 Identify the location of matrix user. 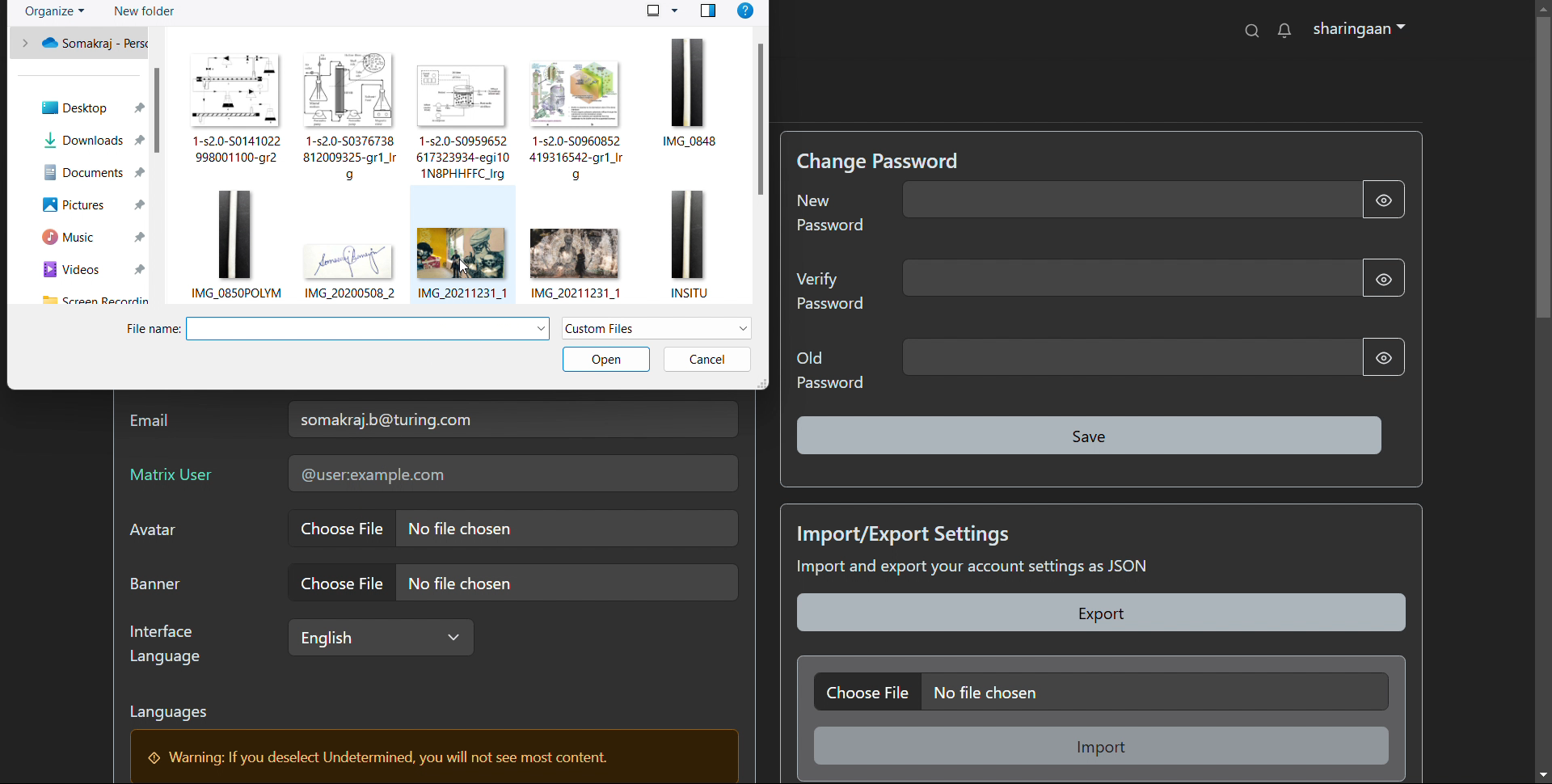
(511, 474).